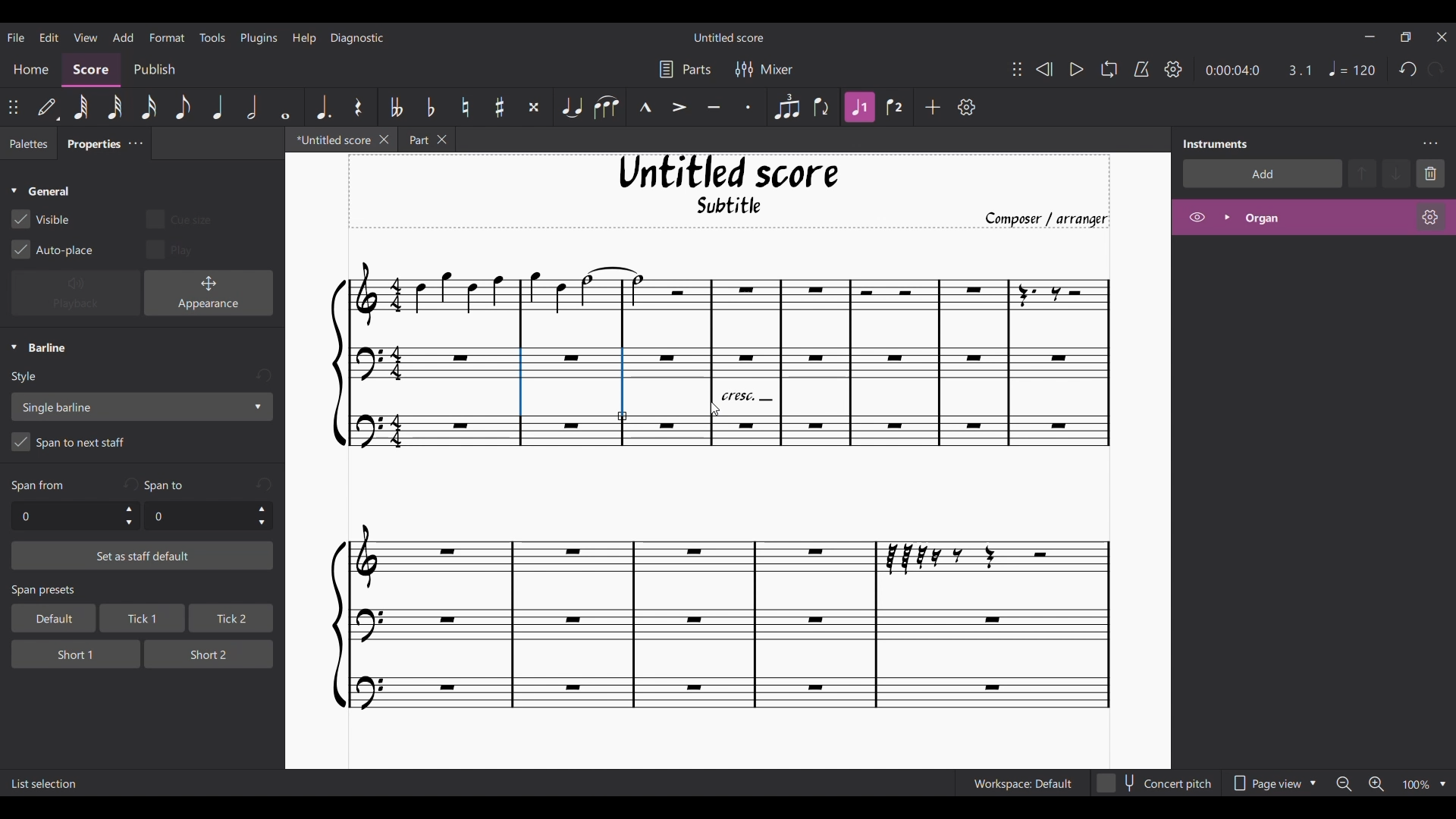  Describe the element at coordinates (218, 107) in the screenshot. I see `Quarter note` at that location.